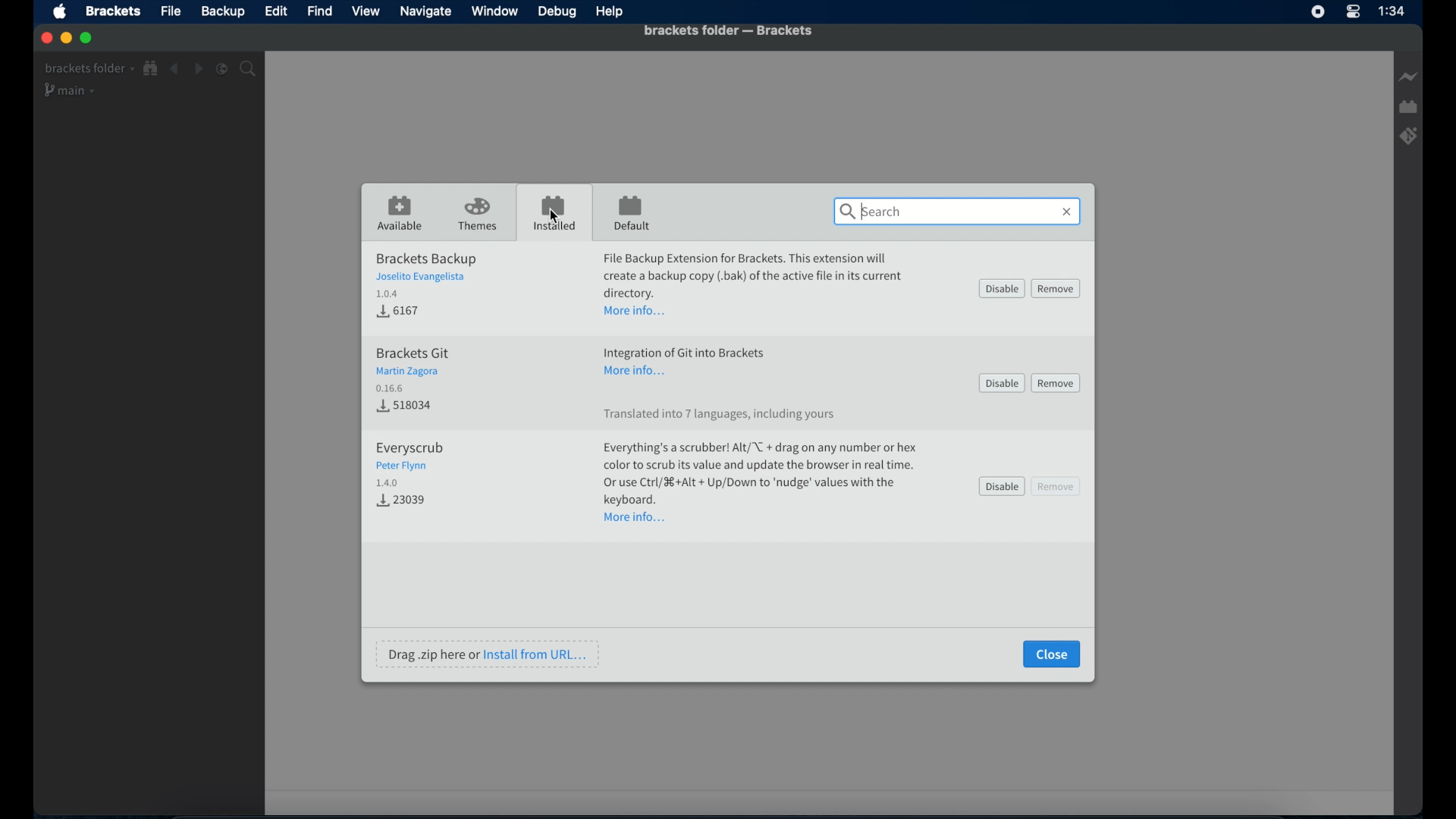 This screenshot has height=819, width=1456. What do you see at coordinates (764, 482) in the screenshot?
I see `extension info` at bounding box center [764, 482].